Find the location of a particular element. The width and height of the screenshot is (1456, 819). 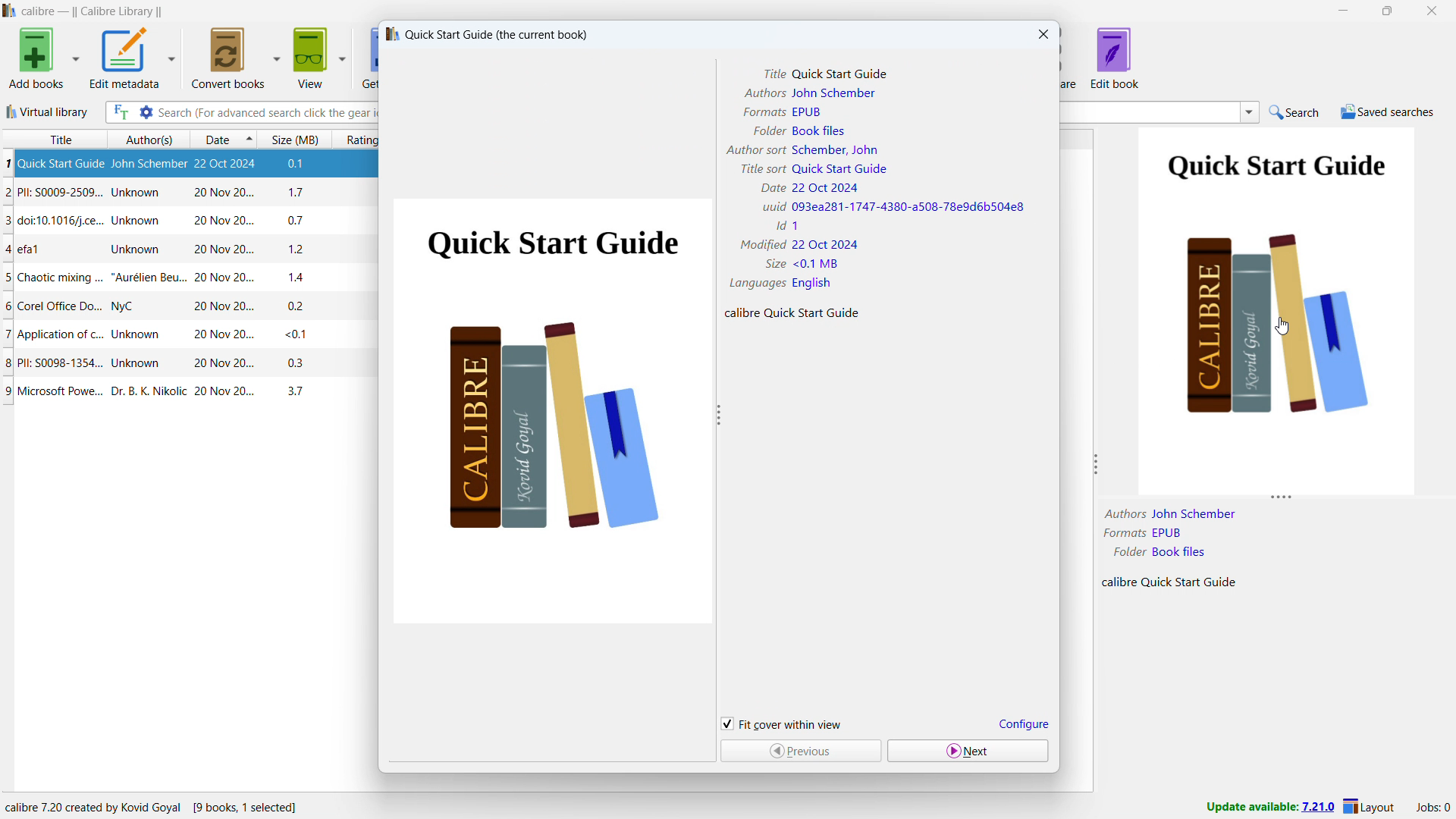

Languages is located at coordinates (755, 283).